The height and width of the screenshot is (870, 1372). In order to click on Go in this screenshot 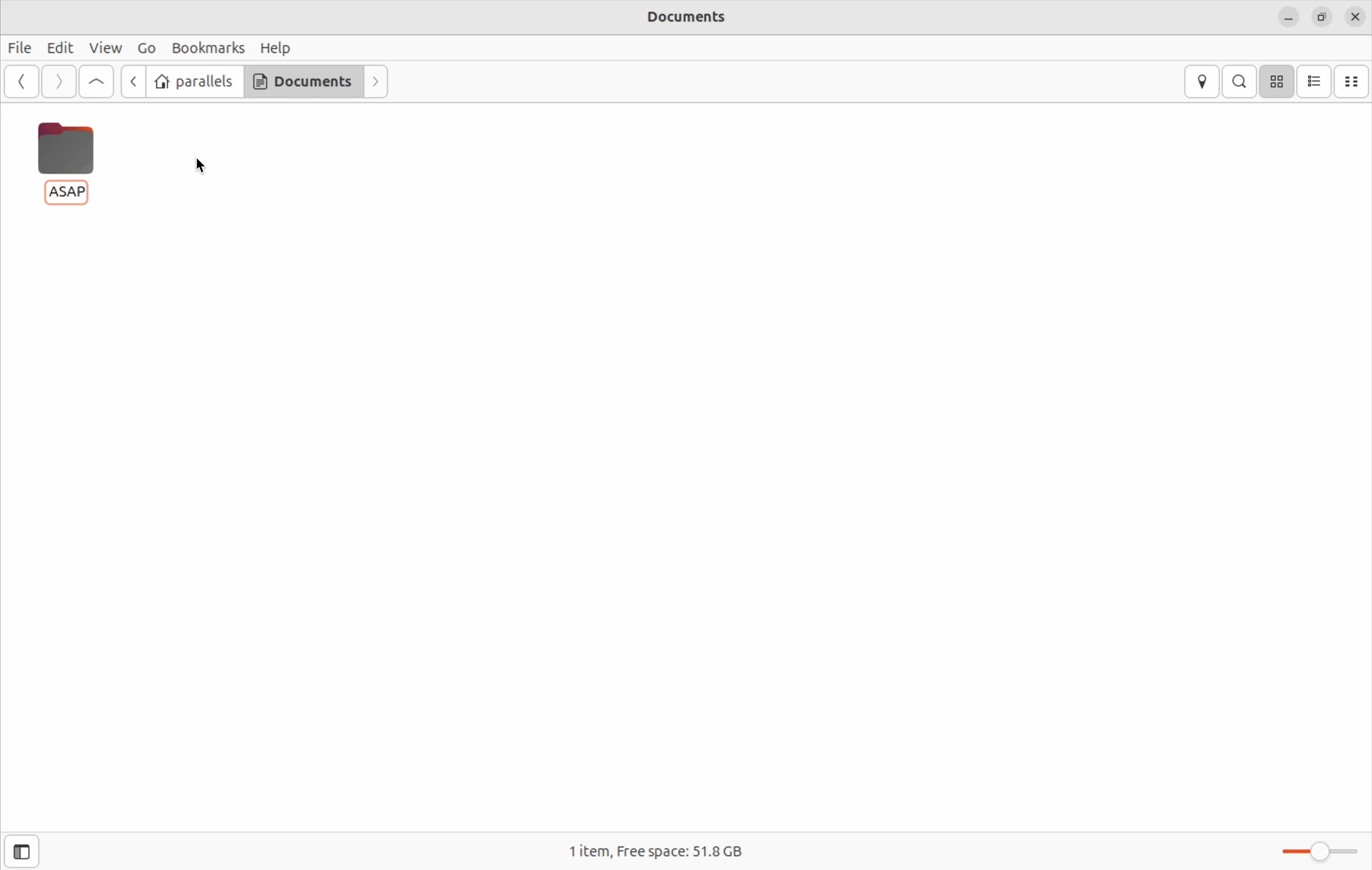, I will do `click(145, 48)`.